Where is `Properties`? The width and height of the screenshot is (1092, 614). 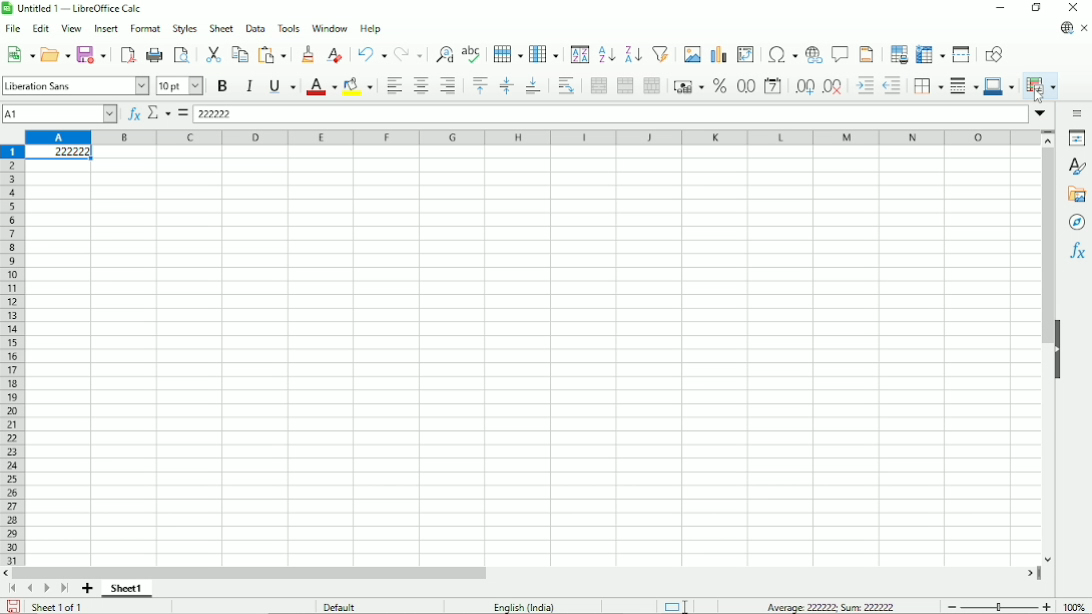 Properties is located at coordinates (1077, 139).